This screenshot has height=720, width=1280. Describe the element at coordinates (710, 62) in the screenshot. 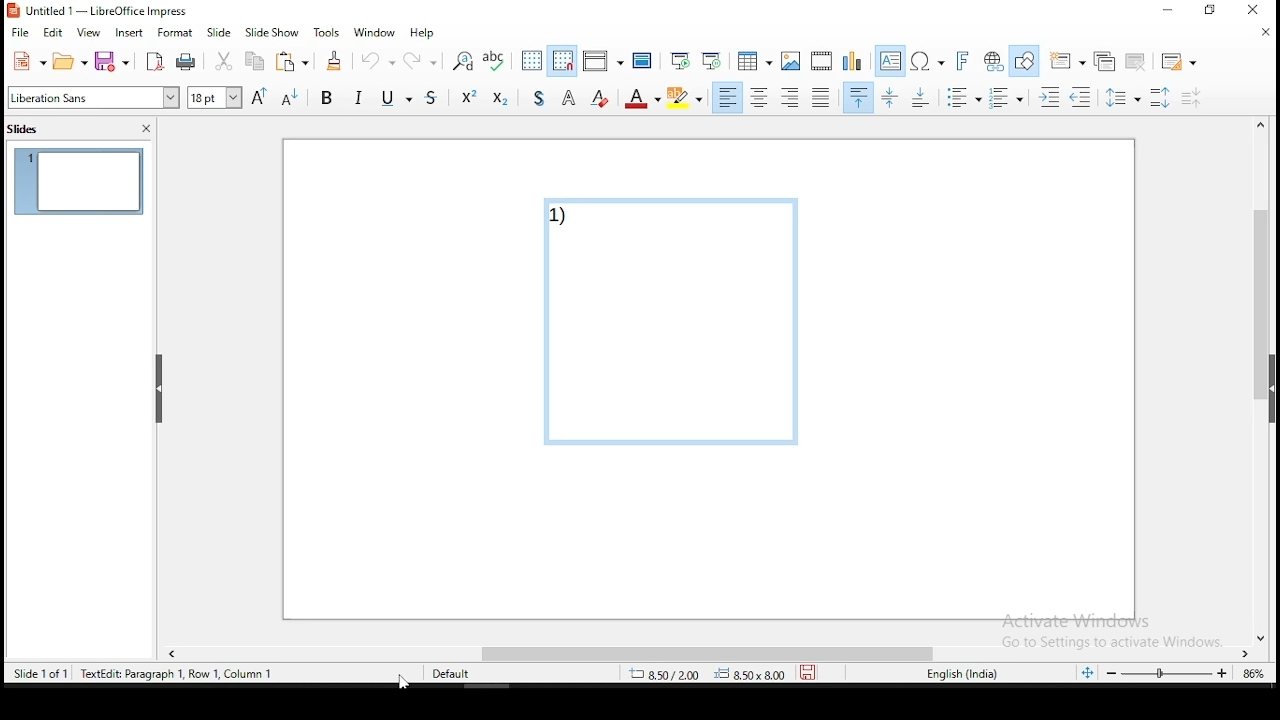

I see `start from current slide` at that location.